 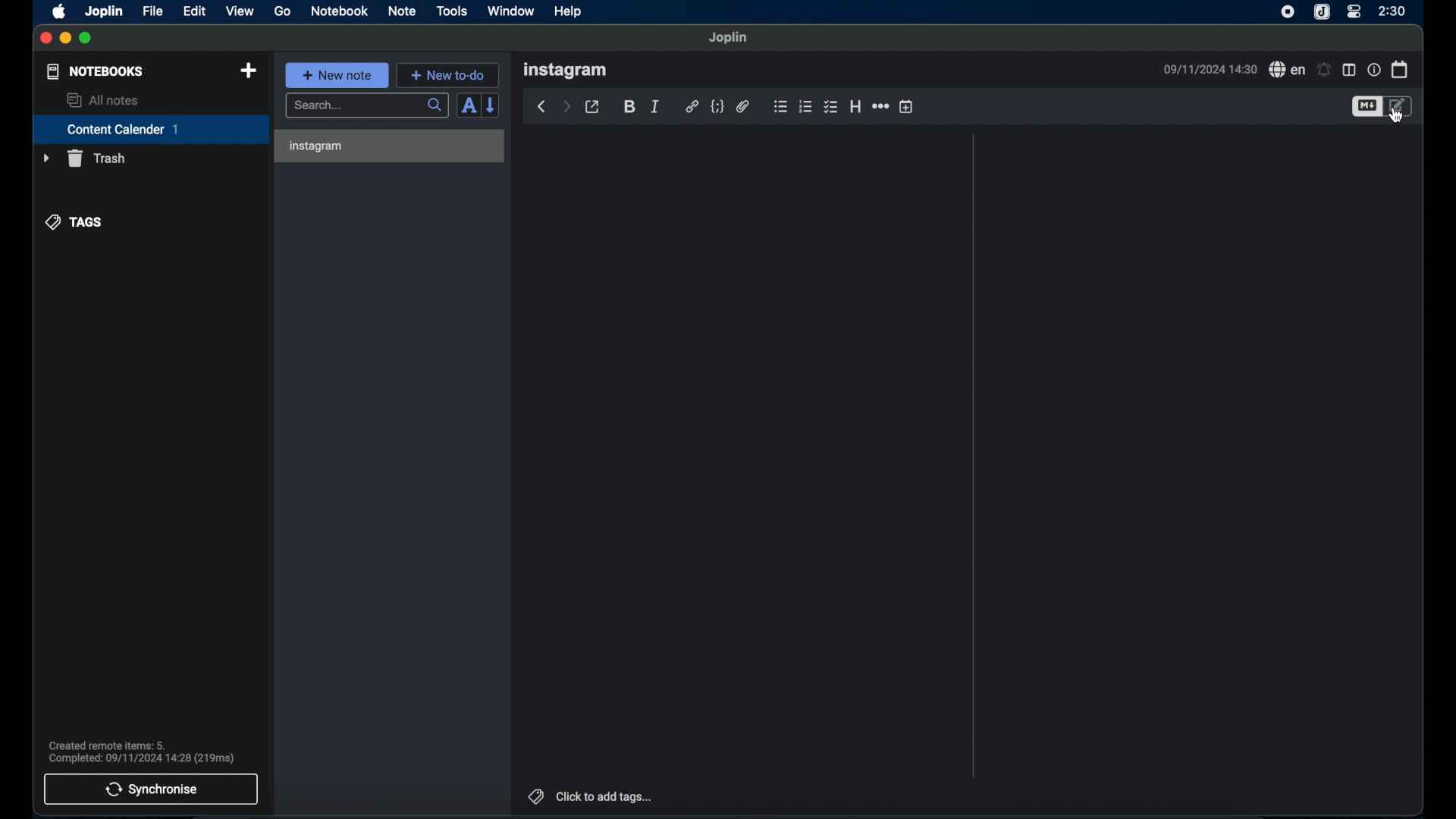 What do you see at coordinates (882, 106) in the screenshot?
I see `horizontal rule` at bounding box center [882, 106].